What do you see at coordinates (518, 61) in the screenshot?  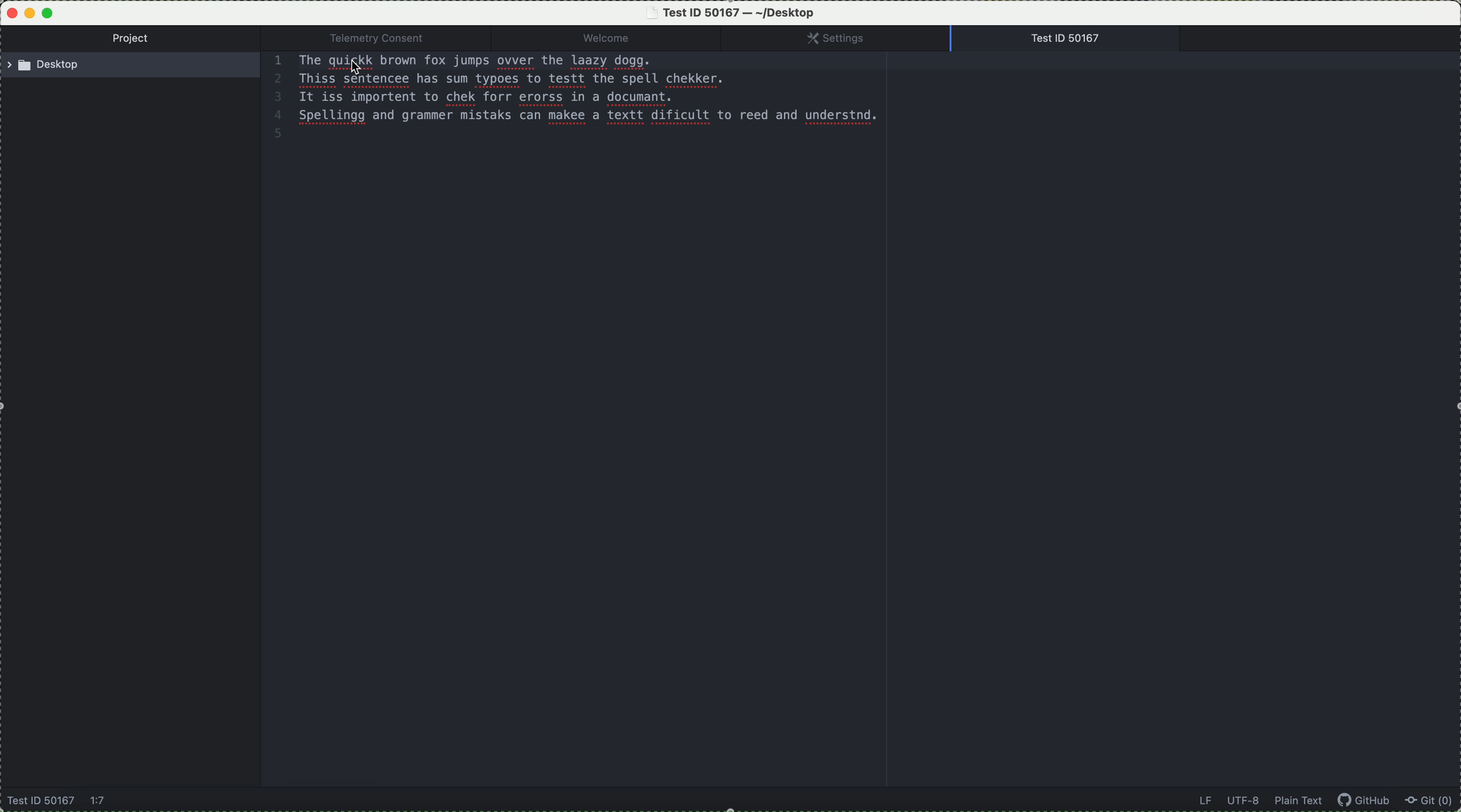 I see `sentence` at bounding box center [518, 61].